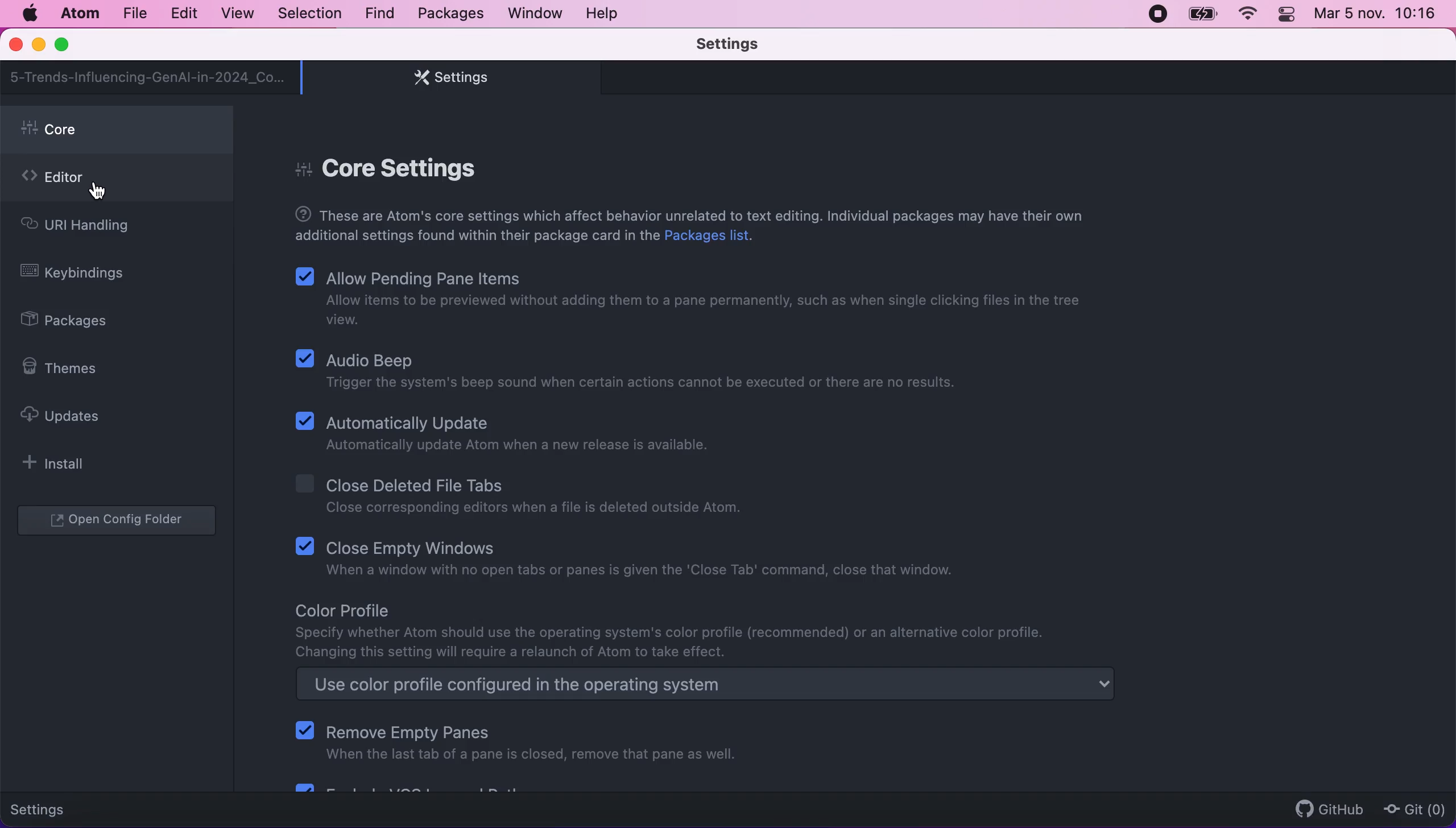 This screenshot has width=1456, height=828. I want to click on time and date, so click(1378, 16).